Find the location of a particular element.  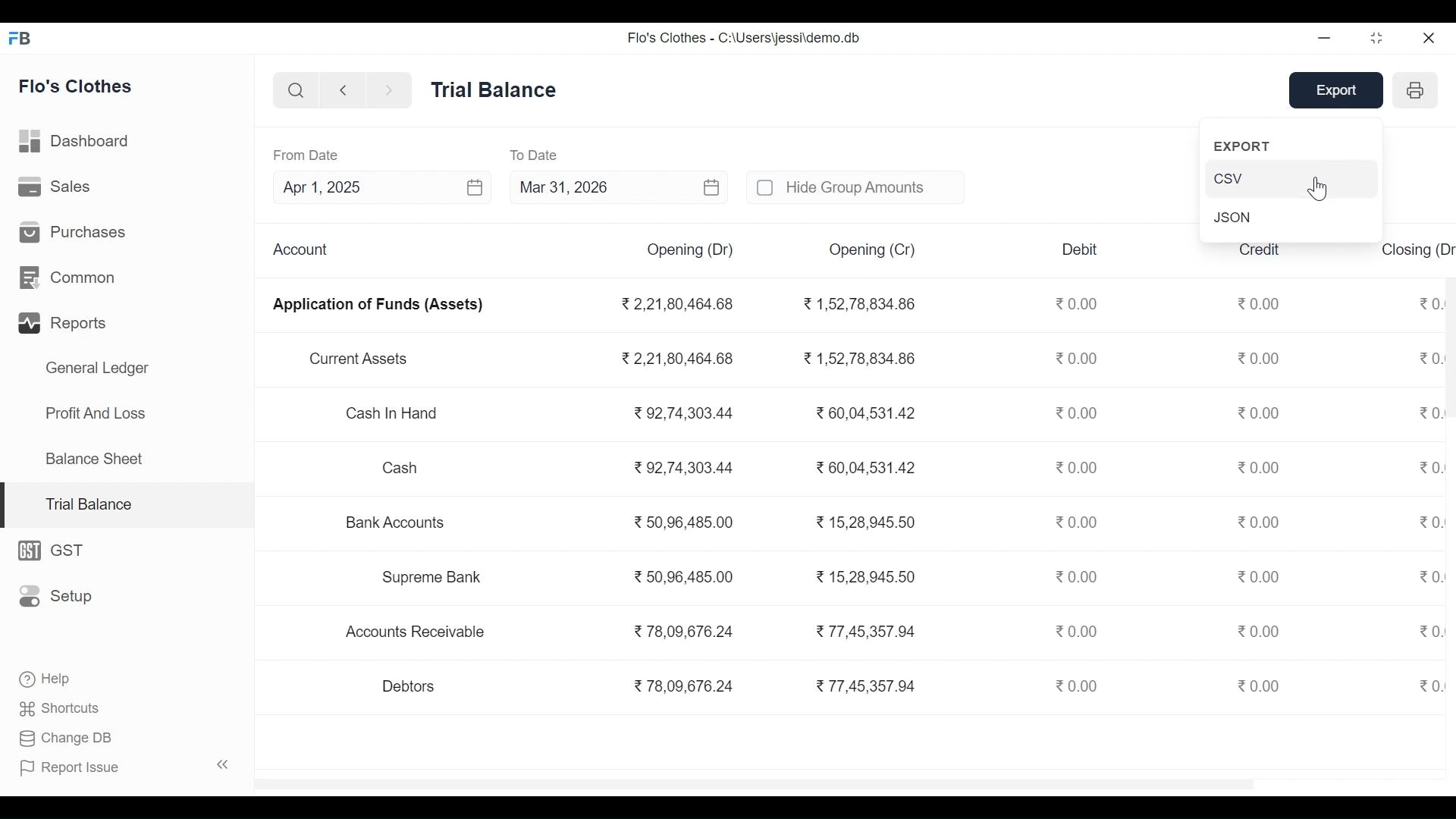

EXPORT is located at coordinates (1247, 146).